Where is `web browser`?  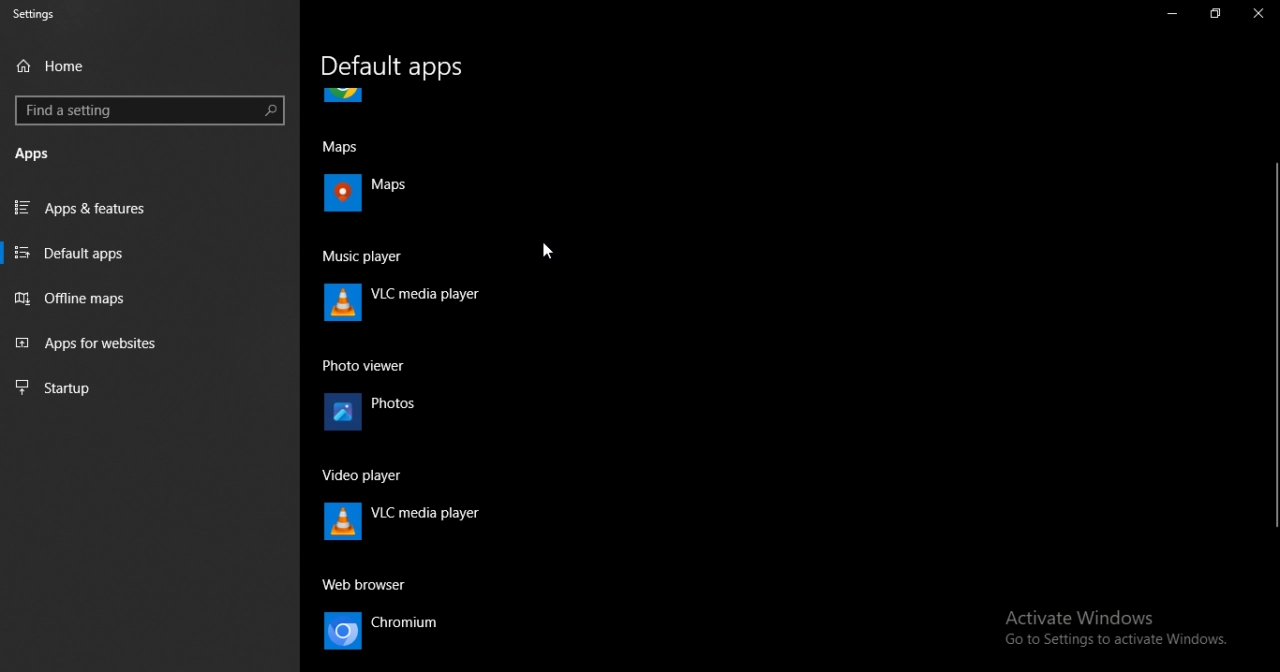 web browser is located at coordinates (366, 584).